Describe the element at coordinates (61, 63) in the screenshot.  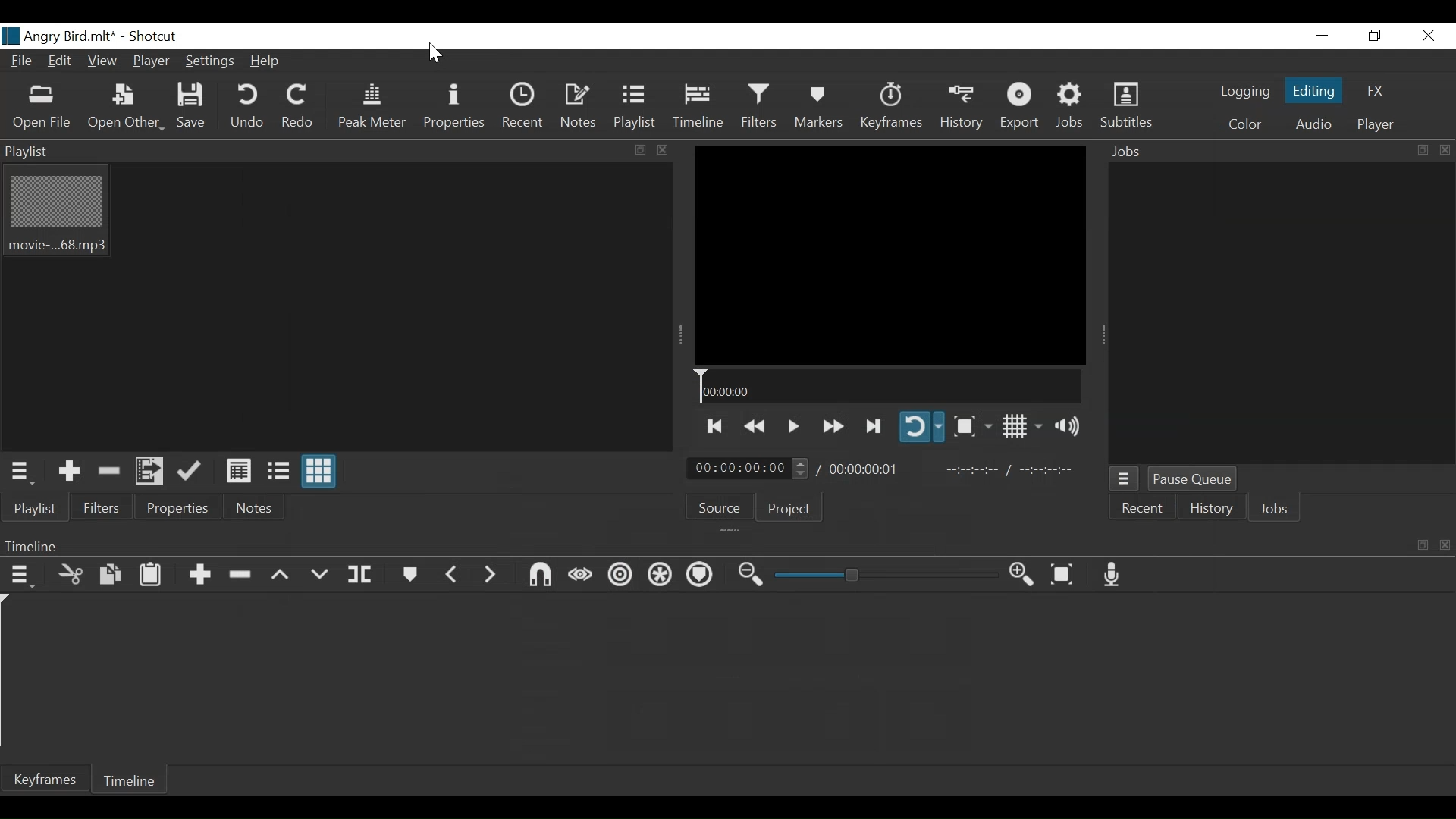
I see `Edit` at that location.